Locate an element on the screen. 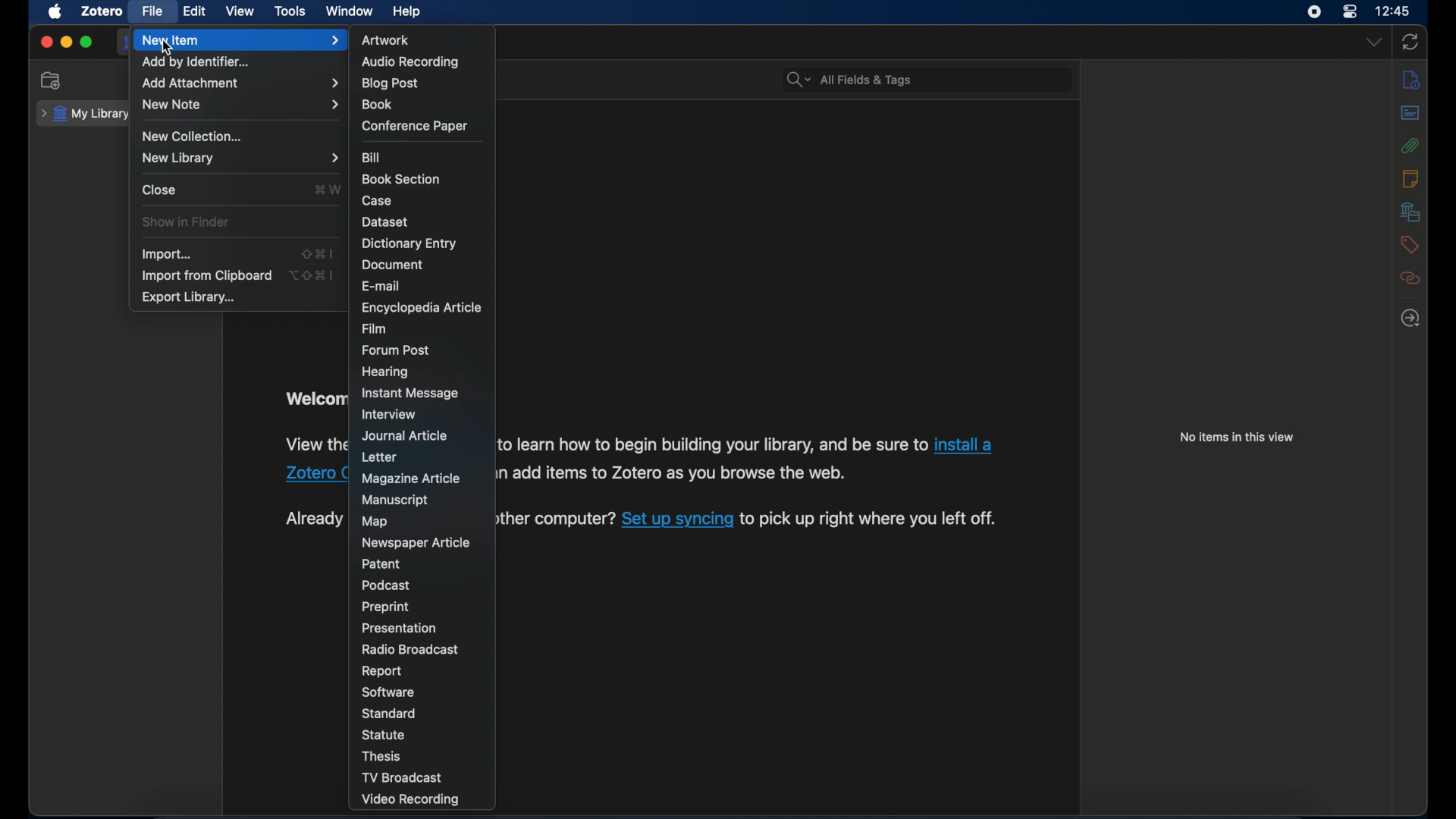 The width and height of the screenshot is (1456, 819). view is located at coordinates (240, 11).